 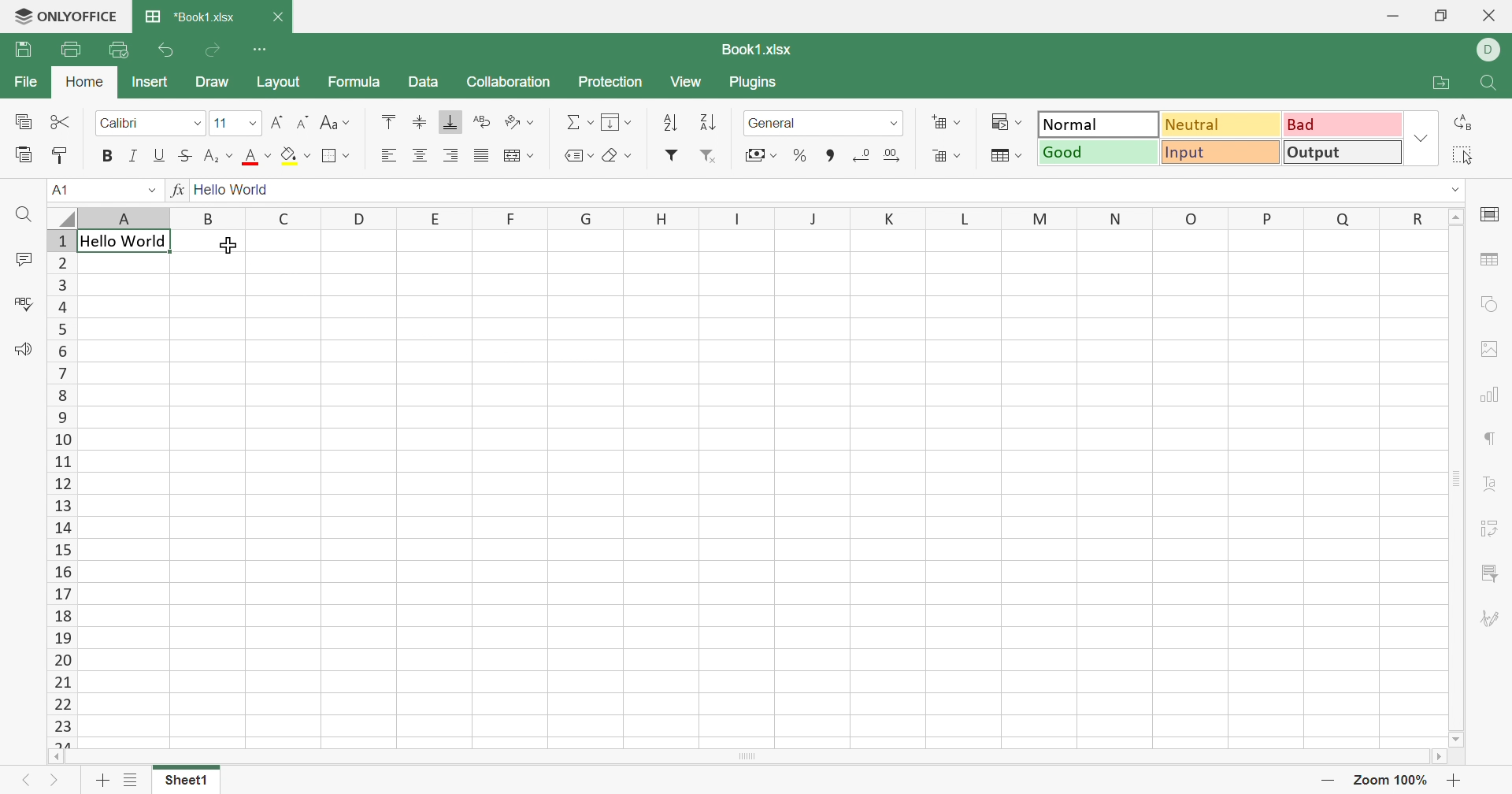 I want to click on Replace, so click(x=1464, y=123).